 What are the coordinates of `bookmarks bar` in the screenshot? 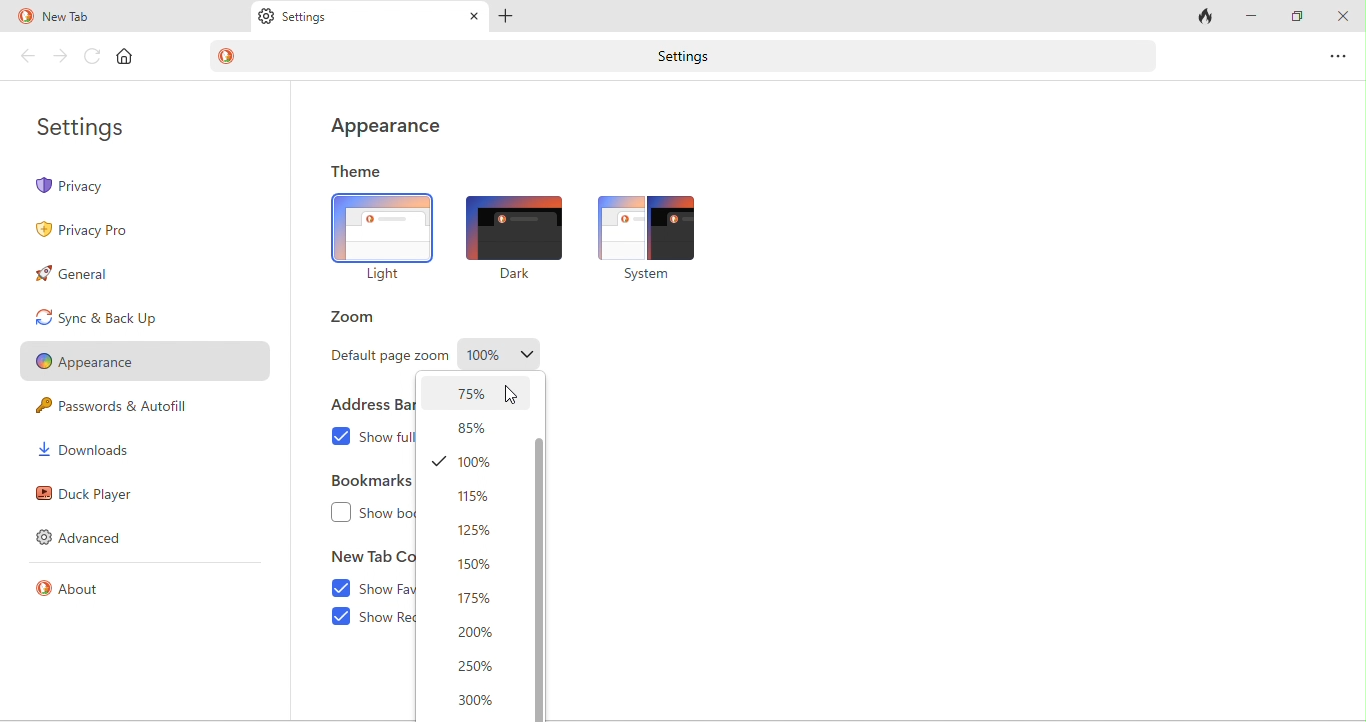 It's located at (368, 479).